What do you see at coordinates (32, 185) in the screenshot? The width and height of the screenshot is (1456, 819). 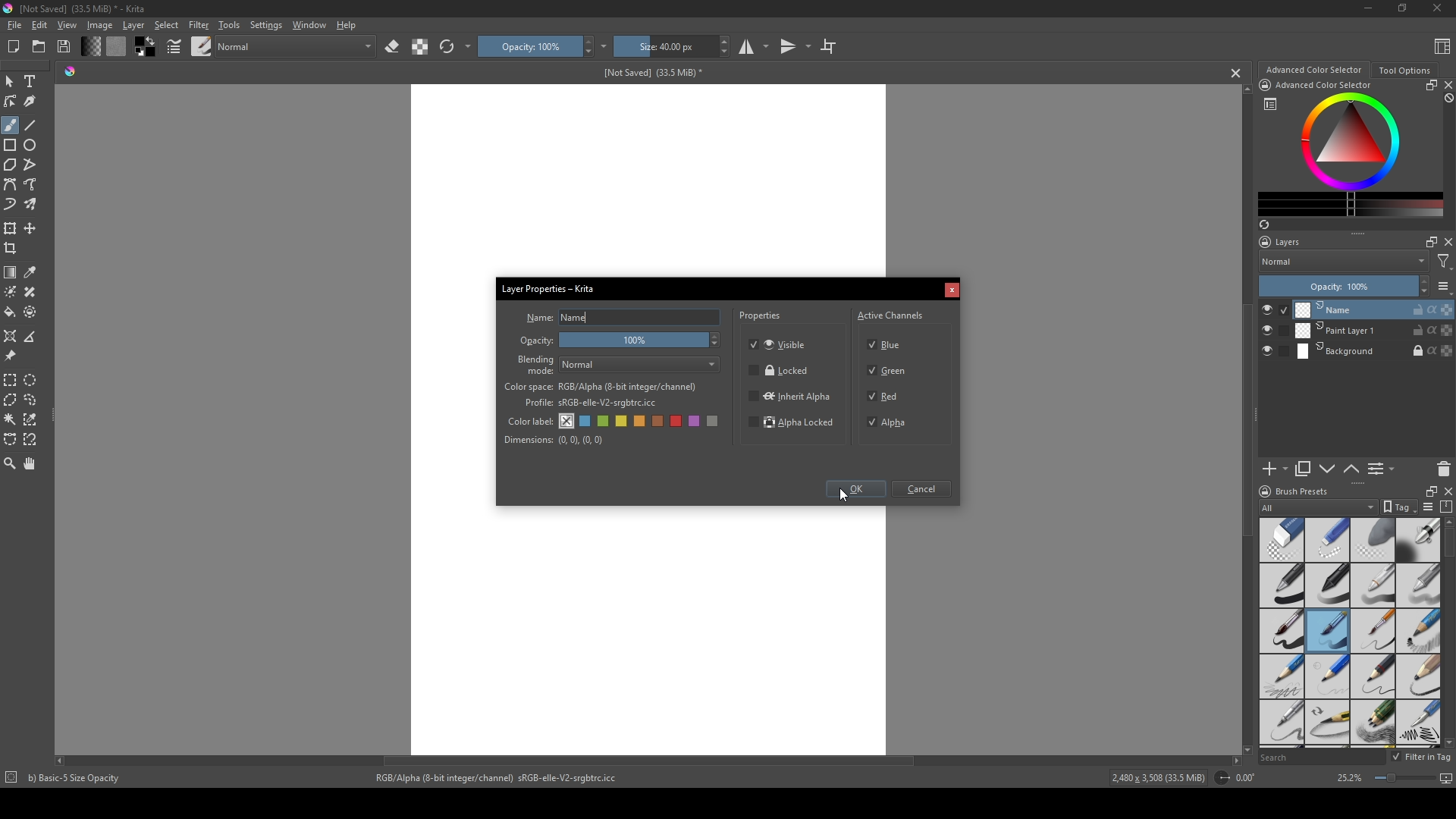 I see `free hand` at bounding box center [32, 185].